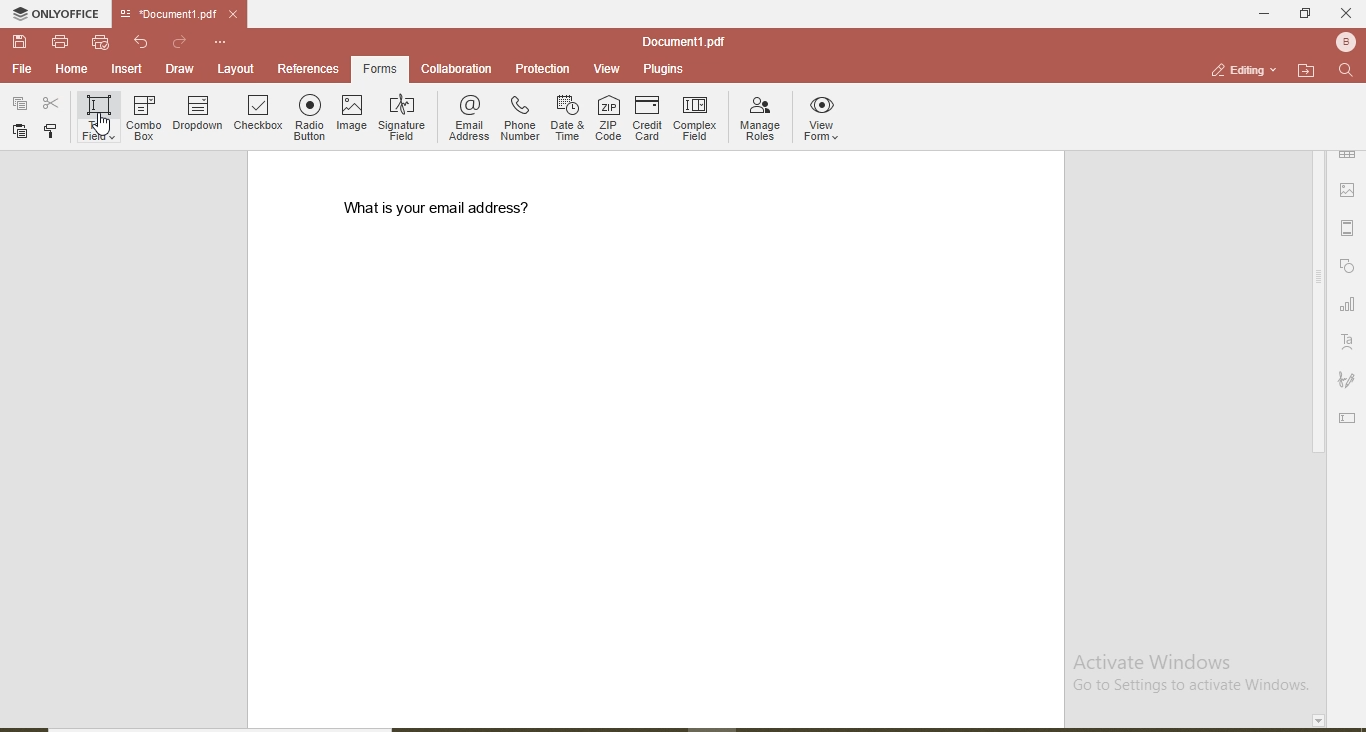 This screenshot has width=1366, height=732. Describe the element at coordinates (19, 101) in the screenshot. I see `paste special` at that location.